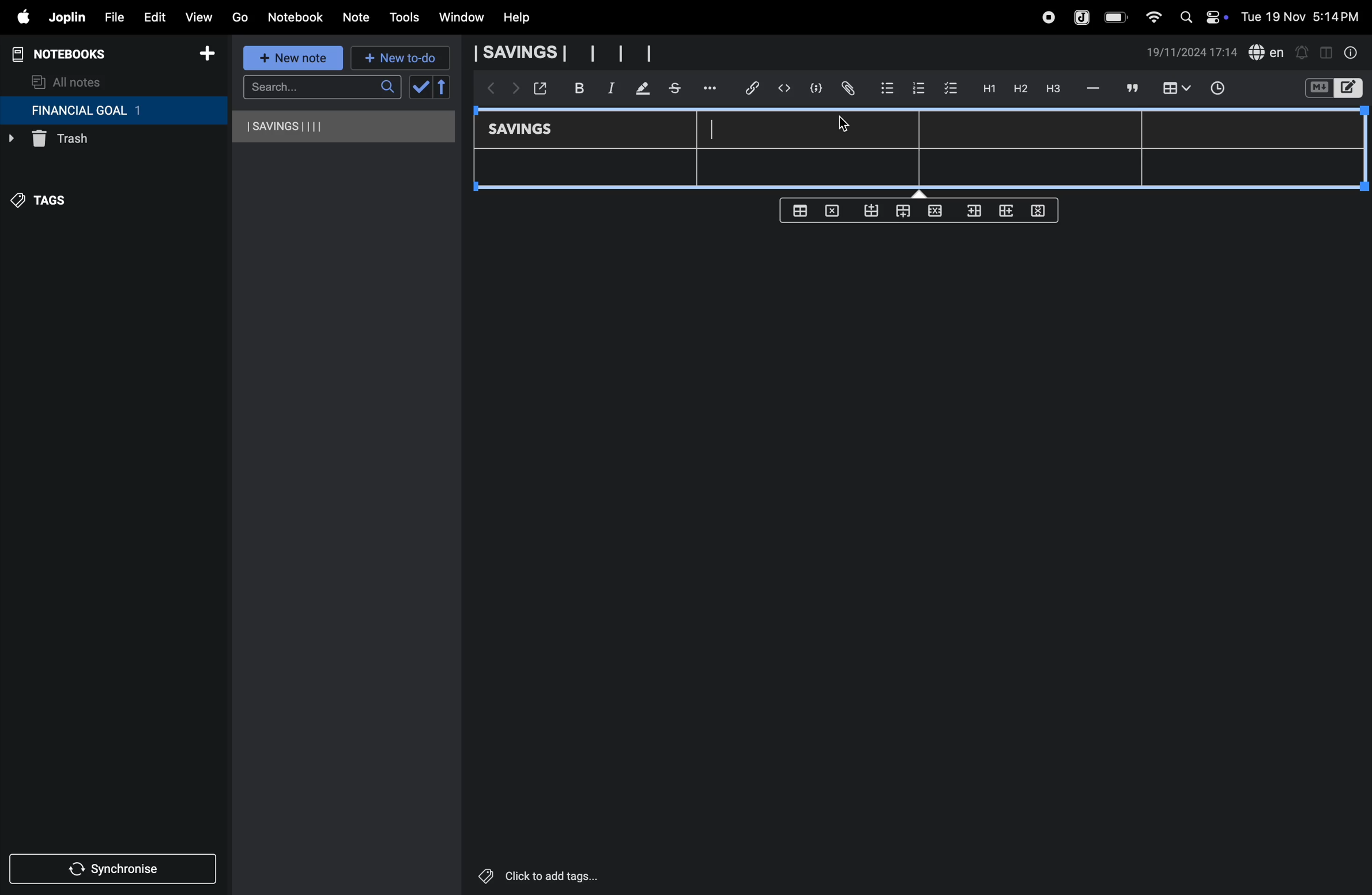  What do you see at coordinates (1083, 16) in the screenshot?
I see `joplin` at bounding box center [1083, 16].